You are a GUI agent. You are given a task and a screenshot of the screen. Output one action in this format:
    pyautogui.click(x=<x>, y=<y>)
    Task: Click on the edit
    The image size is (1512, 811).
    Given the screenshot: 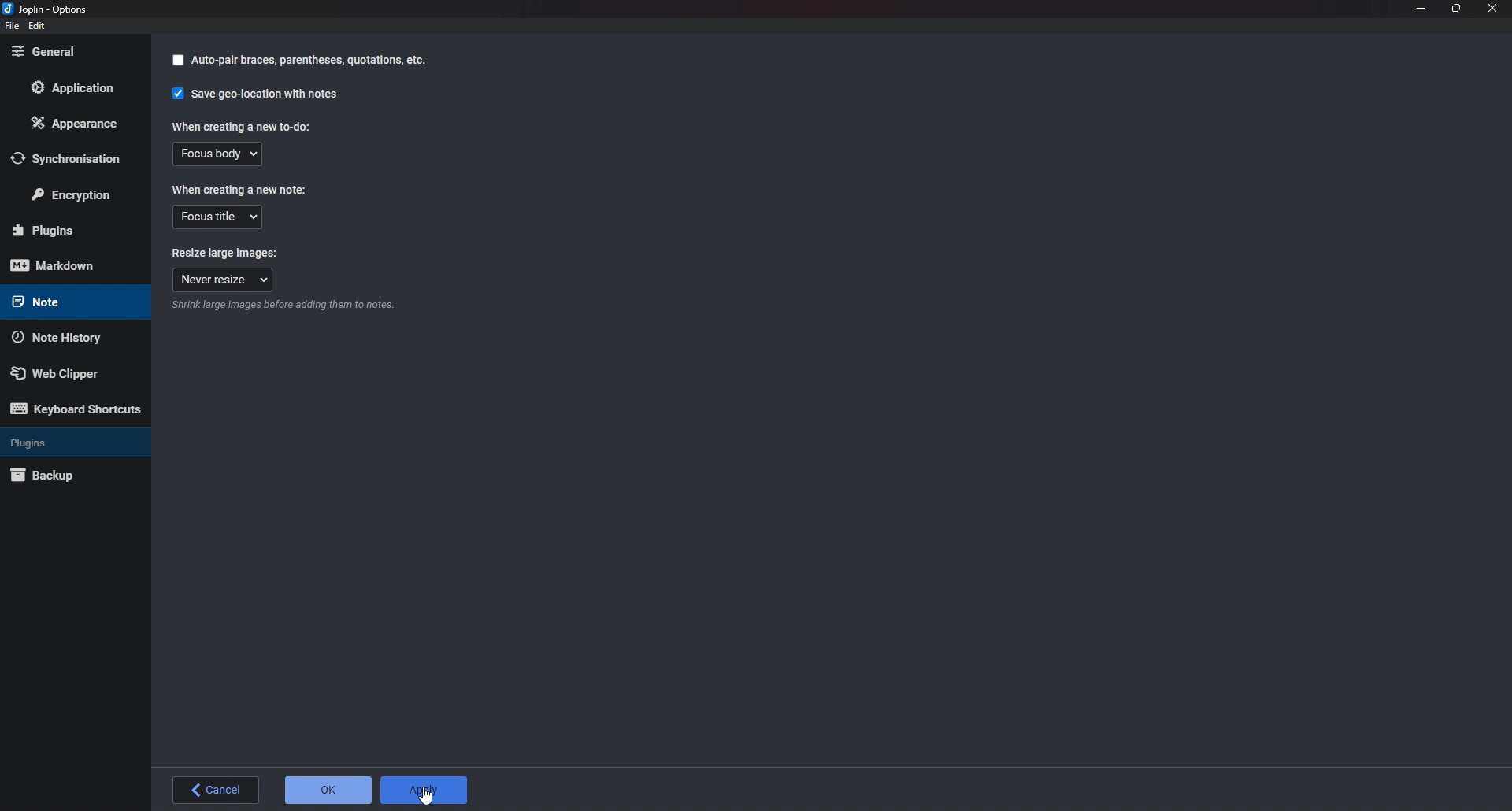 What is the action you would take?
    pyautogui.click(x=35, y=25)
    